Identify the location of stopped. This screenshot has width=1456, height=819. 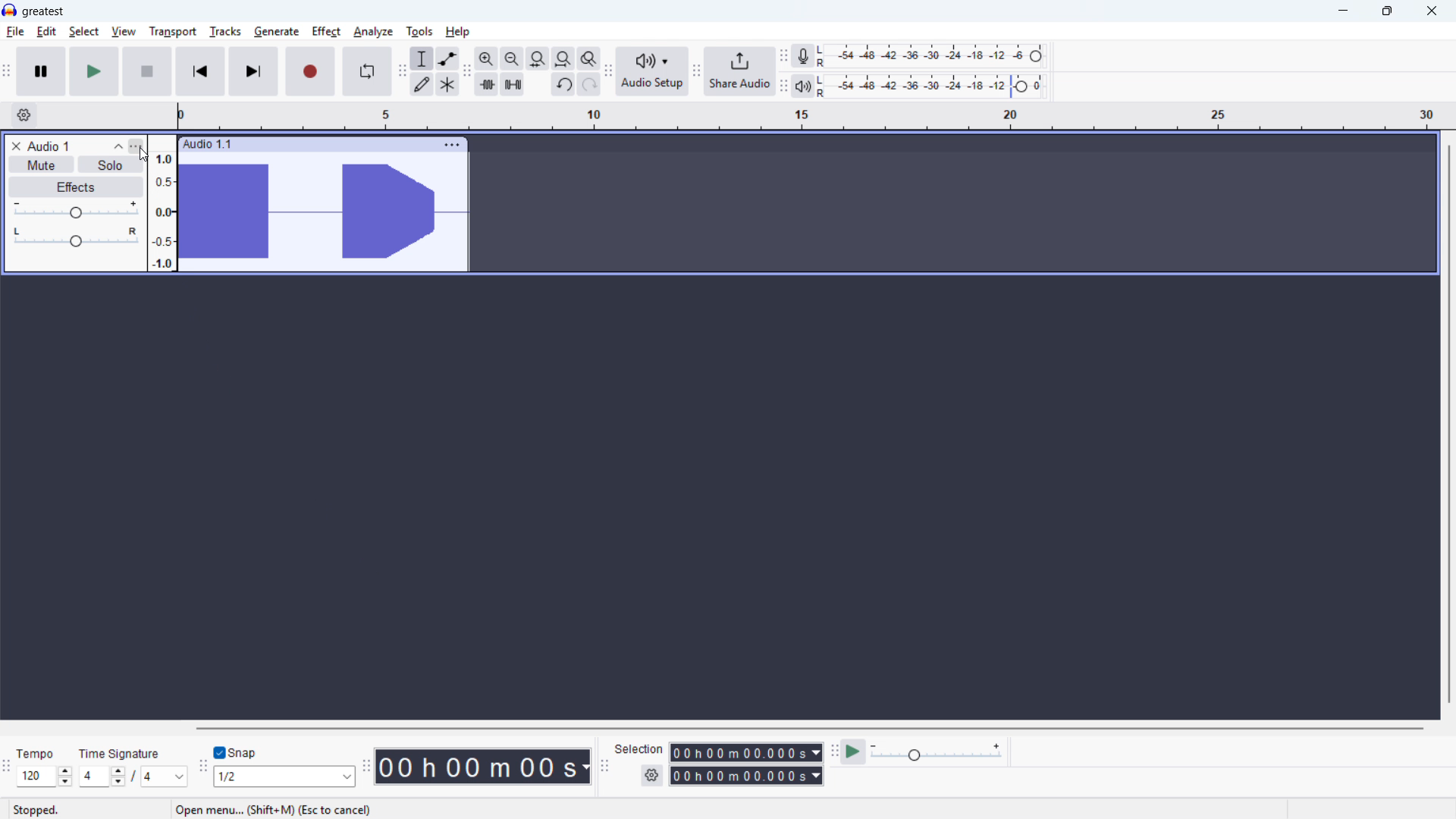
(35, 810).